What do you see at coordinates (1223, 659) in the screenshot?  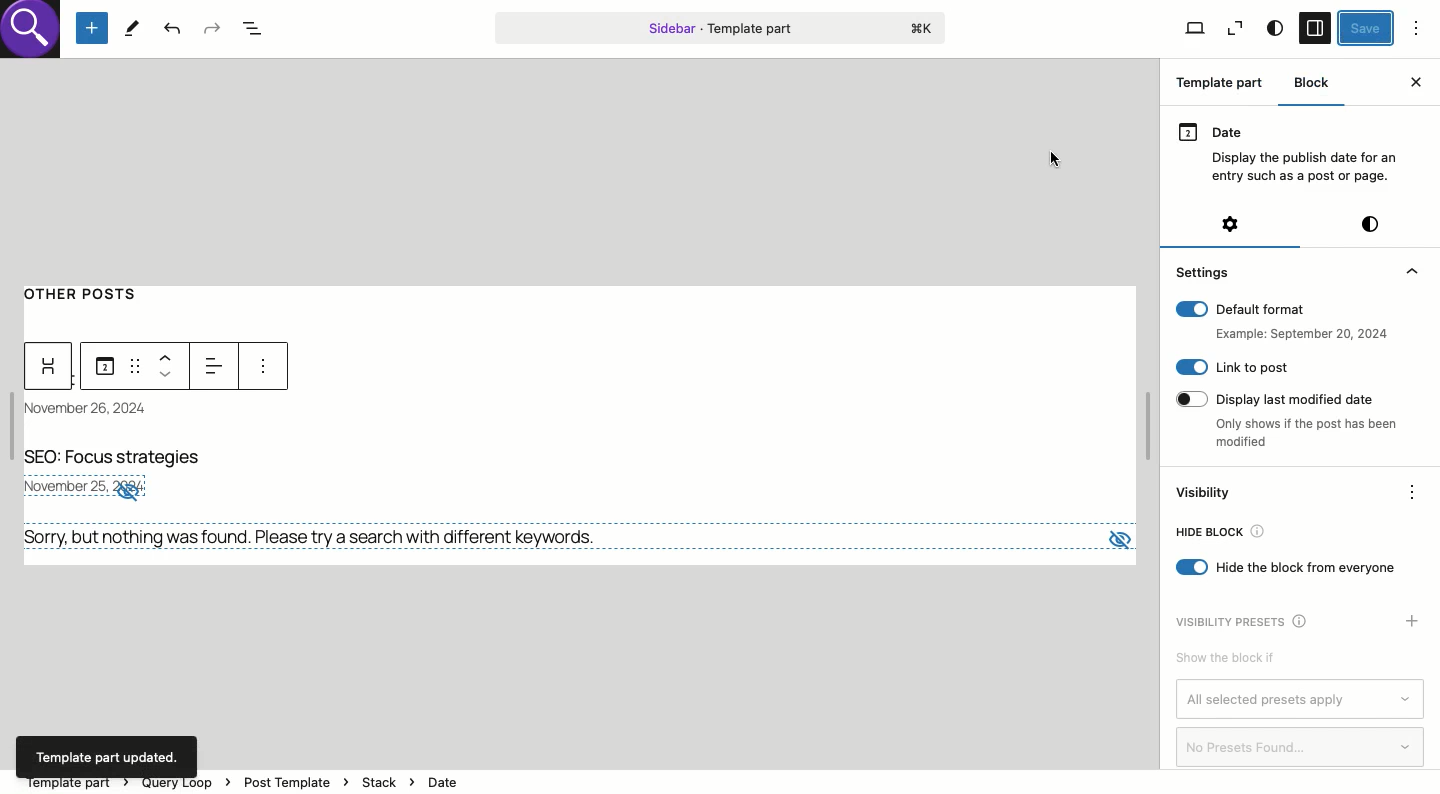 I see `Show the block if` at bounding box center [1223, 659].